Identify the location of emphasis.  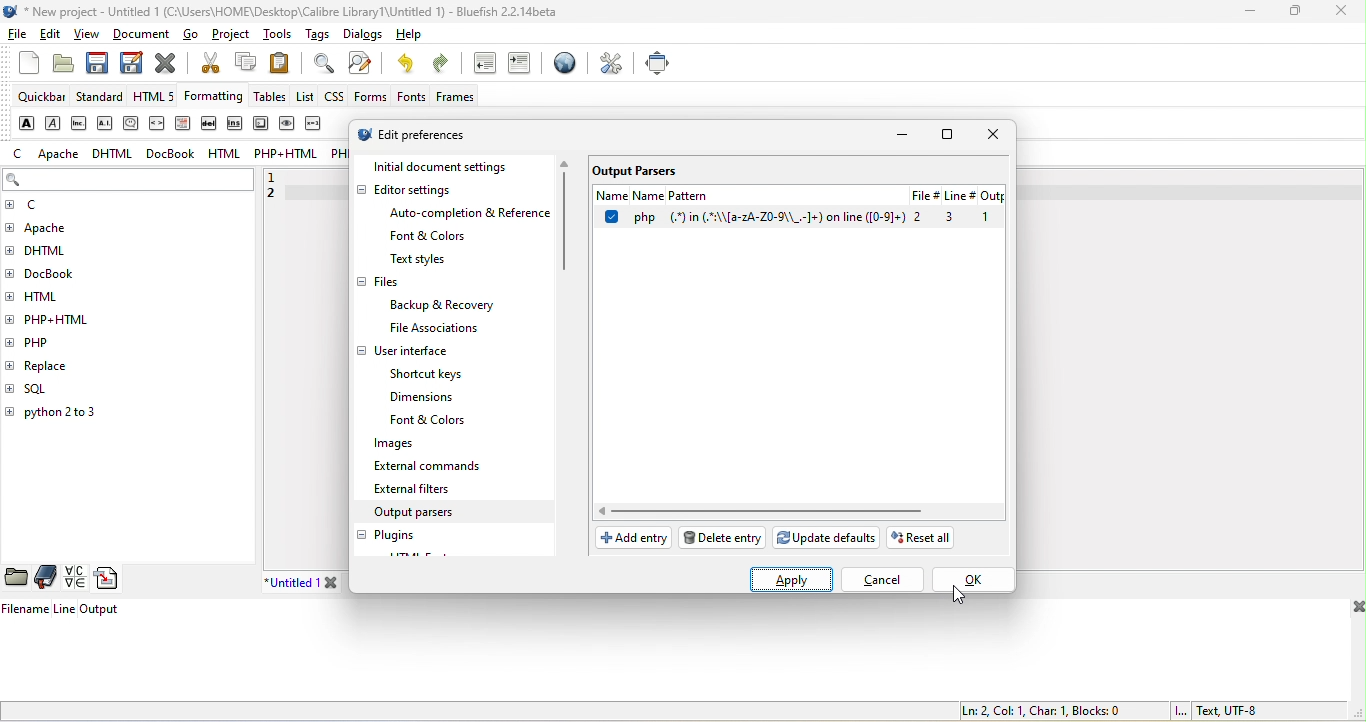
(53, 123).